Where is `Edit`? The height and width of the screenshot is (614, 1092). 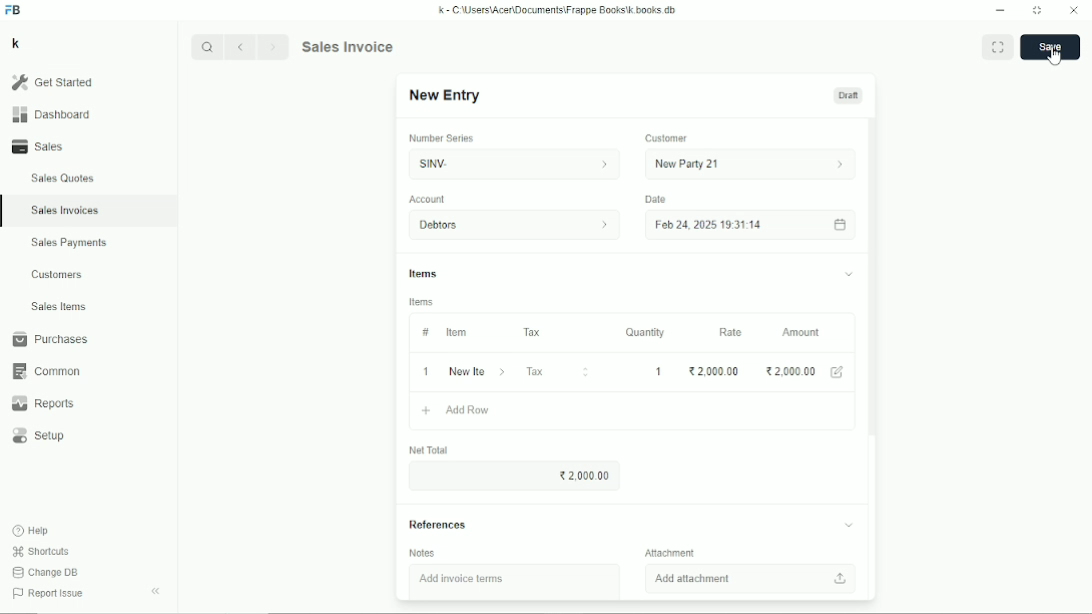
Edit is located at coordinates (839, 372).